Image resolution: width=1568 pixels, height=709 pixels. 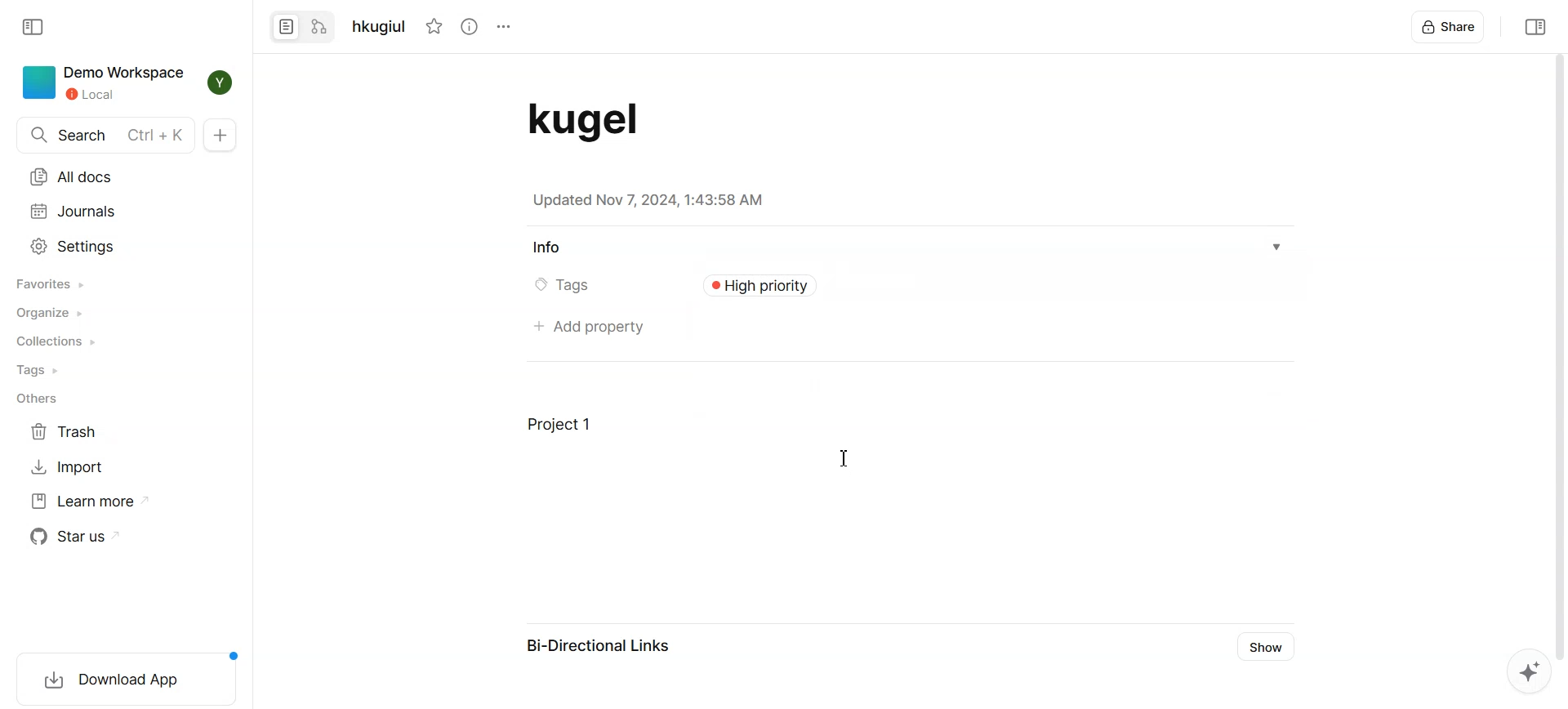 I want to click on Organize, so click(x=49, y=313).